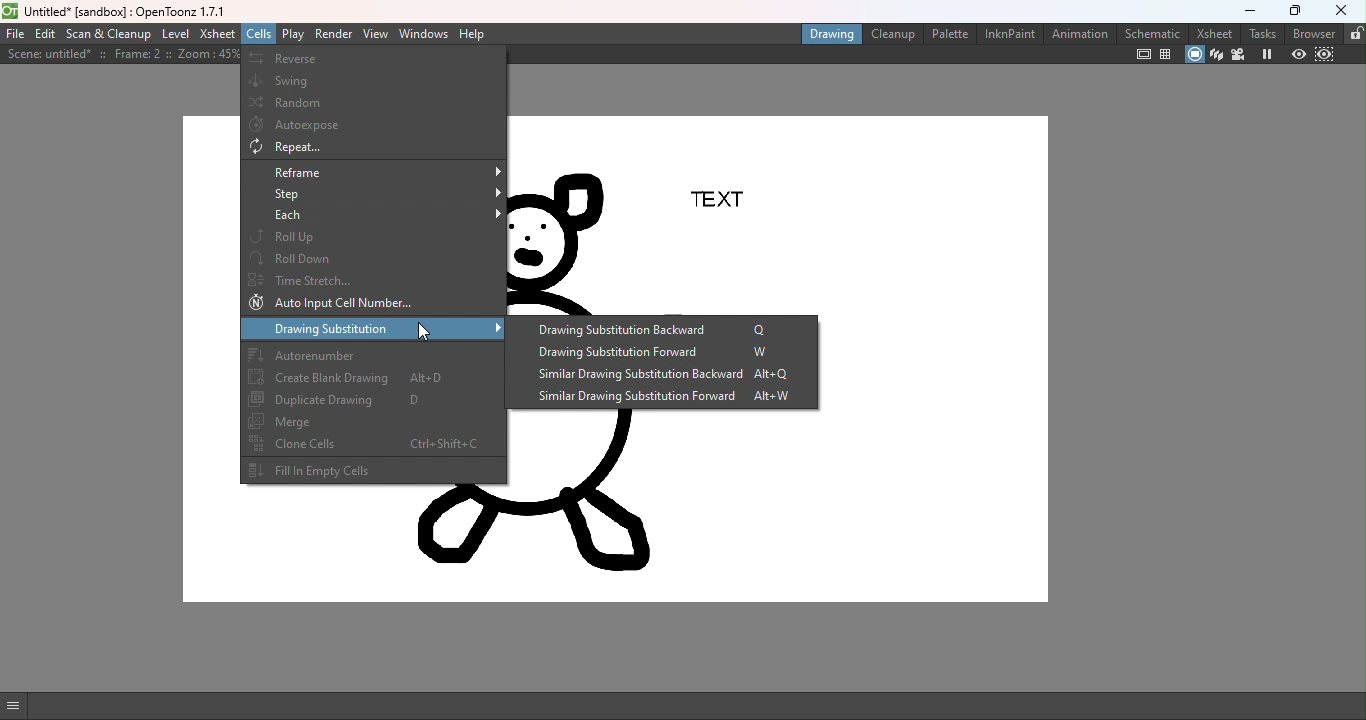 Image resolution: width=1366 pixels, height=720 pixels. Describe the element at coordinates (1341, 11) in the screenshot. I see `close` at that location.